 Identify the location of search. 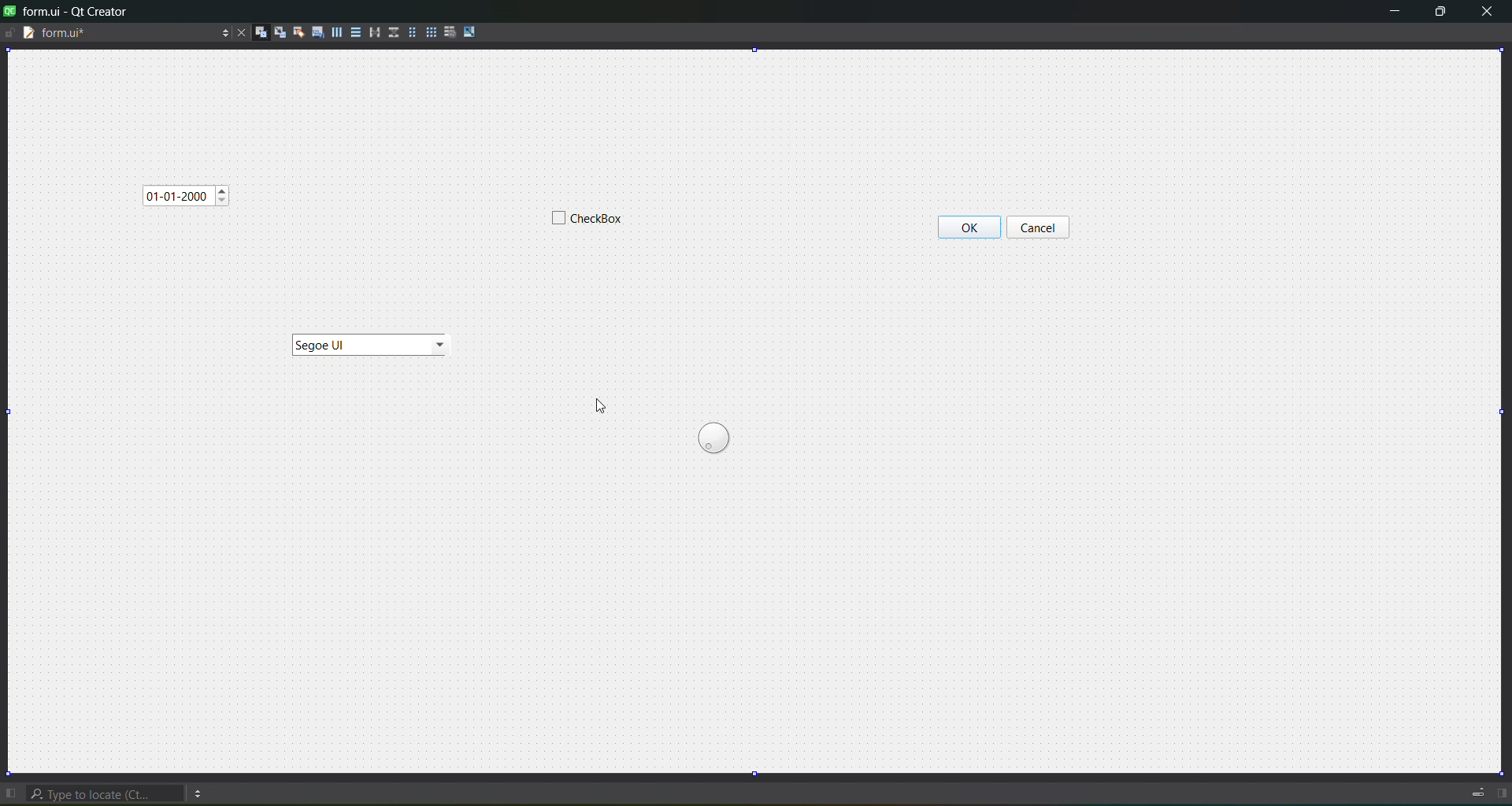
(104, 790).